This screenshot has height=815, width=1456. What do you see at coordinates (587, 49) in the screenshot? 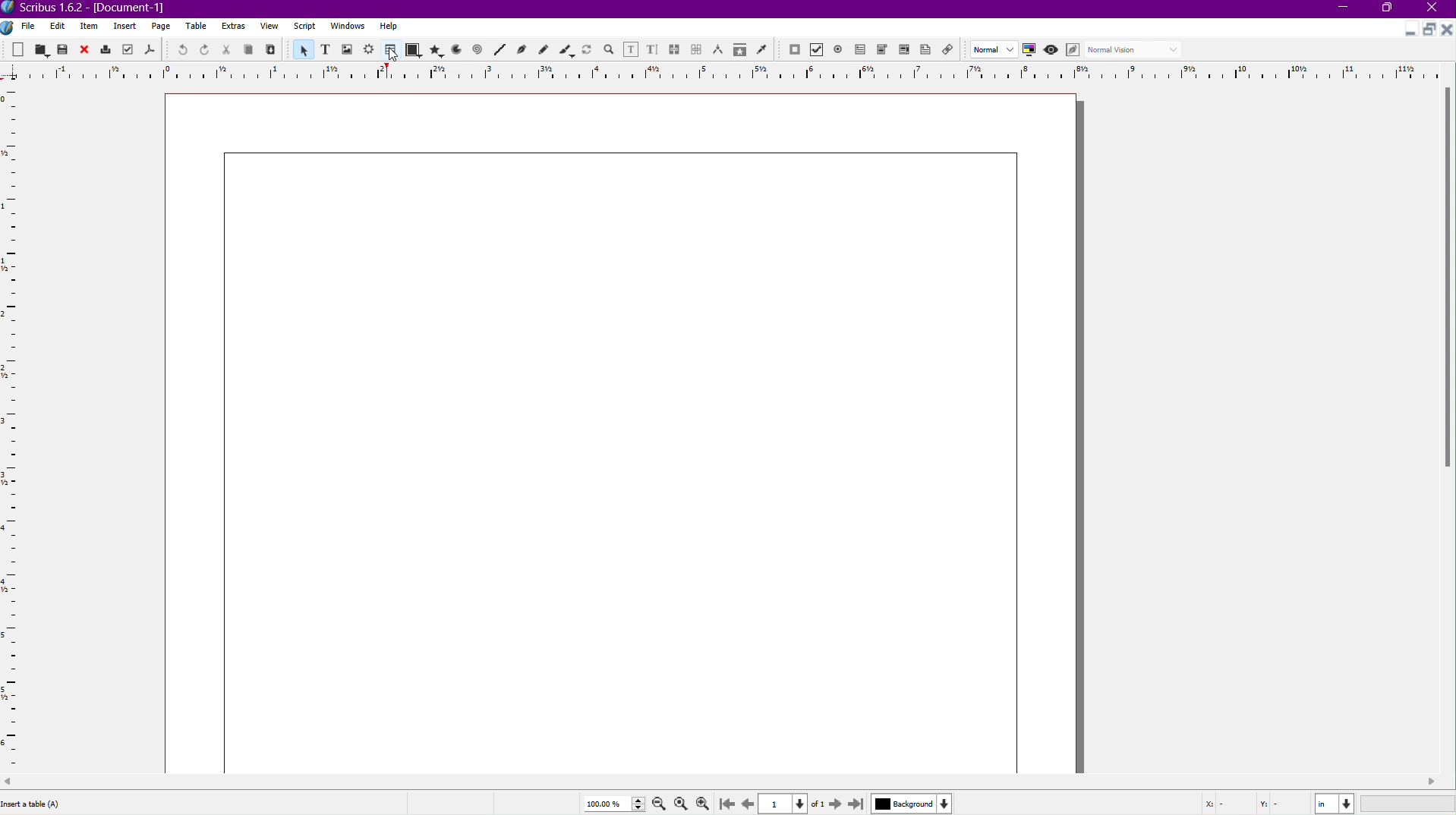
I see `Rotate Item` at bounding box center [587, 49].